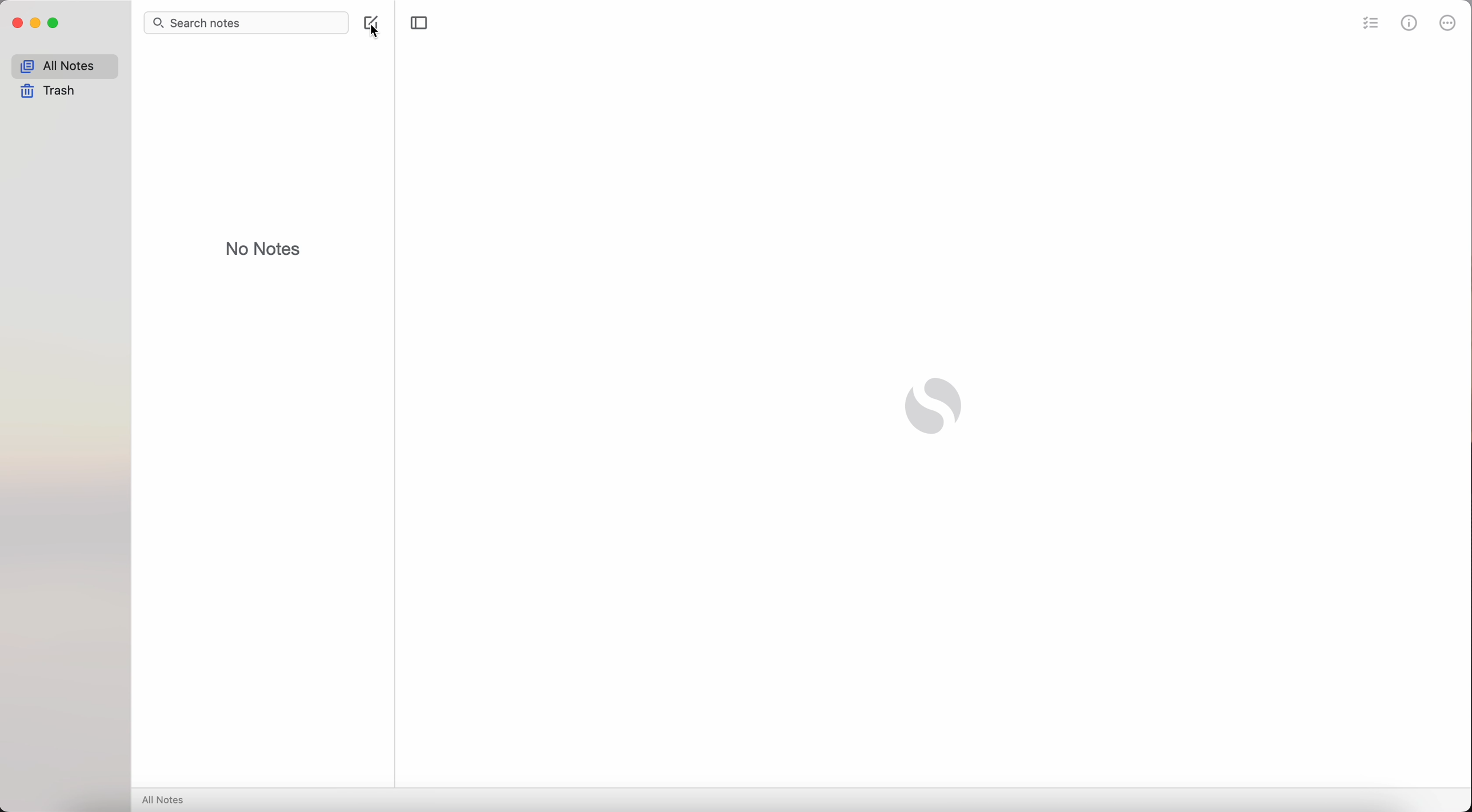 Image resolution: width=1472 pixels, height=812 pixels. Describe the element at coordinates (1368, 25) in the screenshot. I see `check list` at that location.